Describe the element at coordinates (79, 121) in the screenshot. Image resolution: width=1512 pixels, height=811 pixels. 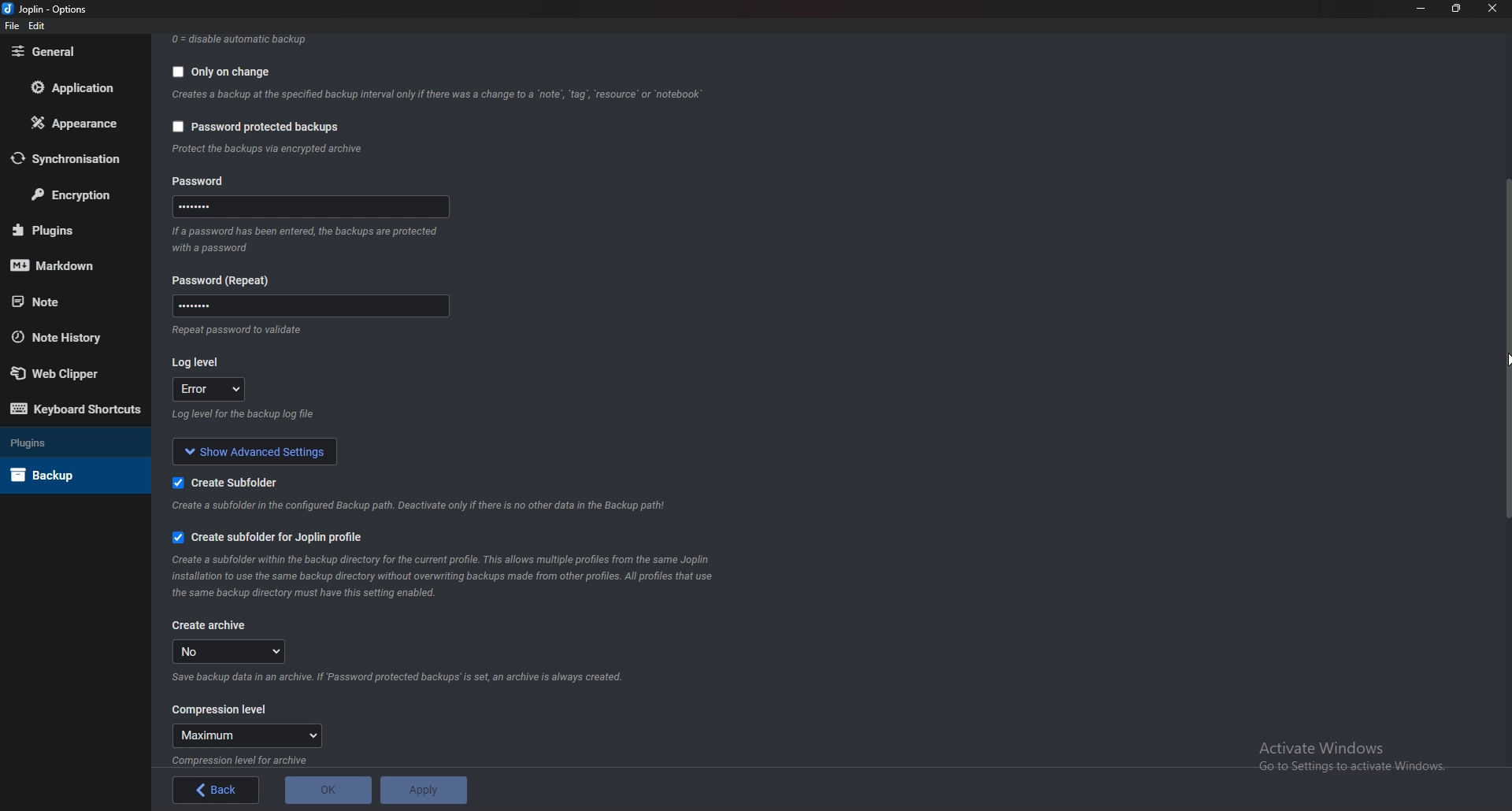
I see `Appearance` at that location.